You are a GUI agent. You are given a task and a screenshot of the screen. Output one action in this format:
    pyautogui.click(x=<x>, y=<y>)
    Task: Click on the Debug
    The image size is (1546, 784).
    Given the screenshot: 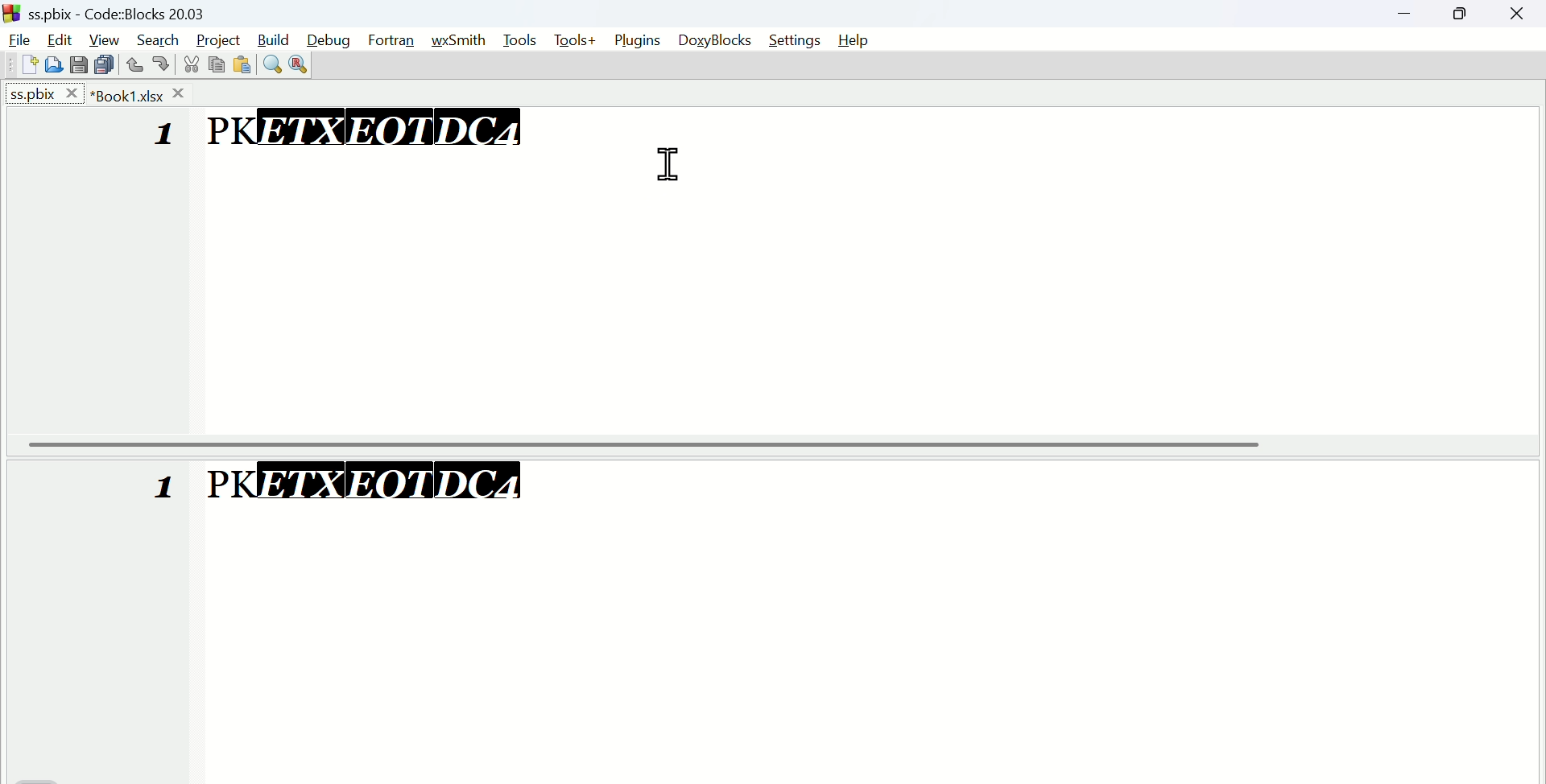 What is the action you would take?
    pyautogui.click(x=333, y=37)
    